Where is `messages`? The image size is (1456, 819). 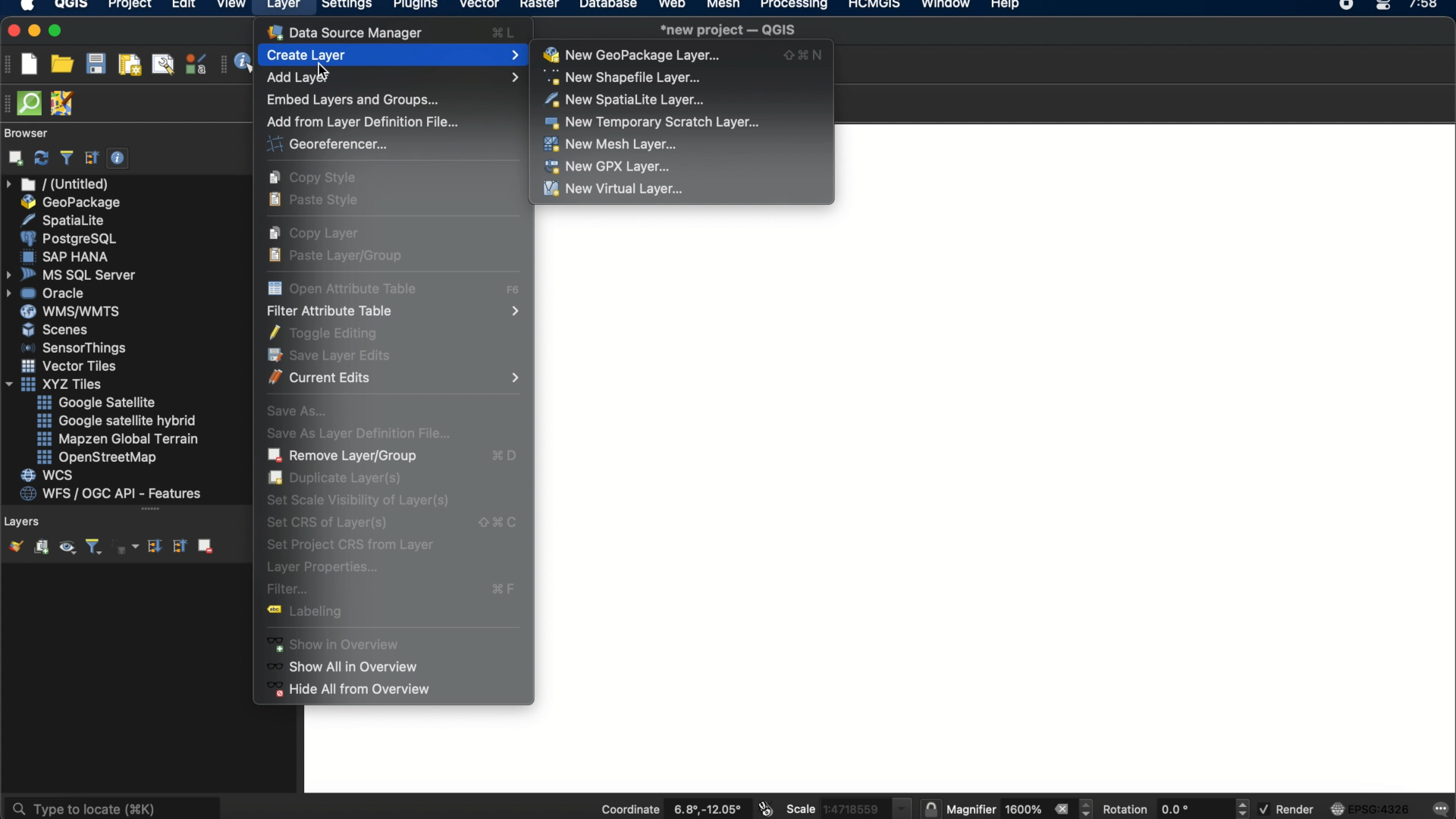 messages is located at coordinates (1439, 810).